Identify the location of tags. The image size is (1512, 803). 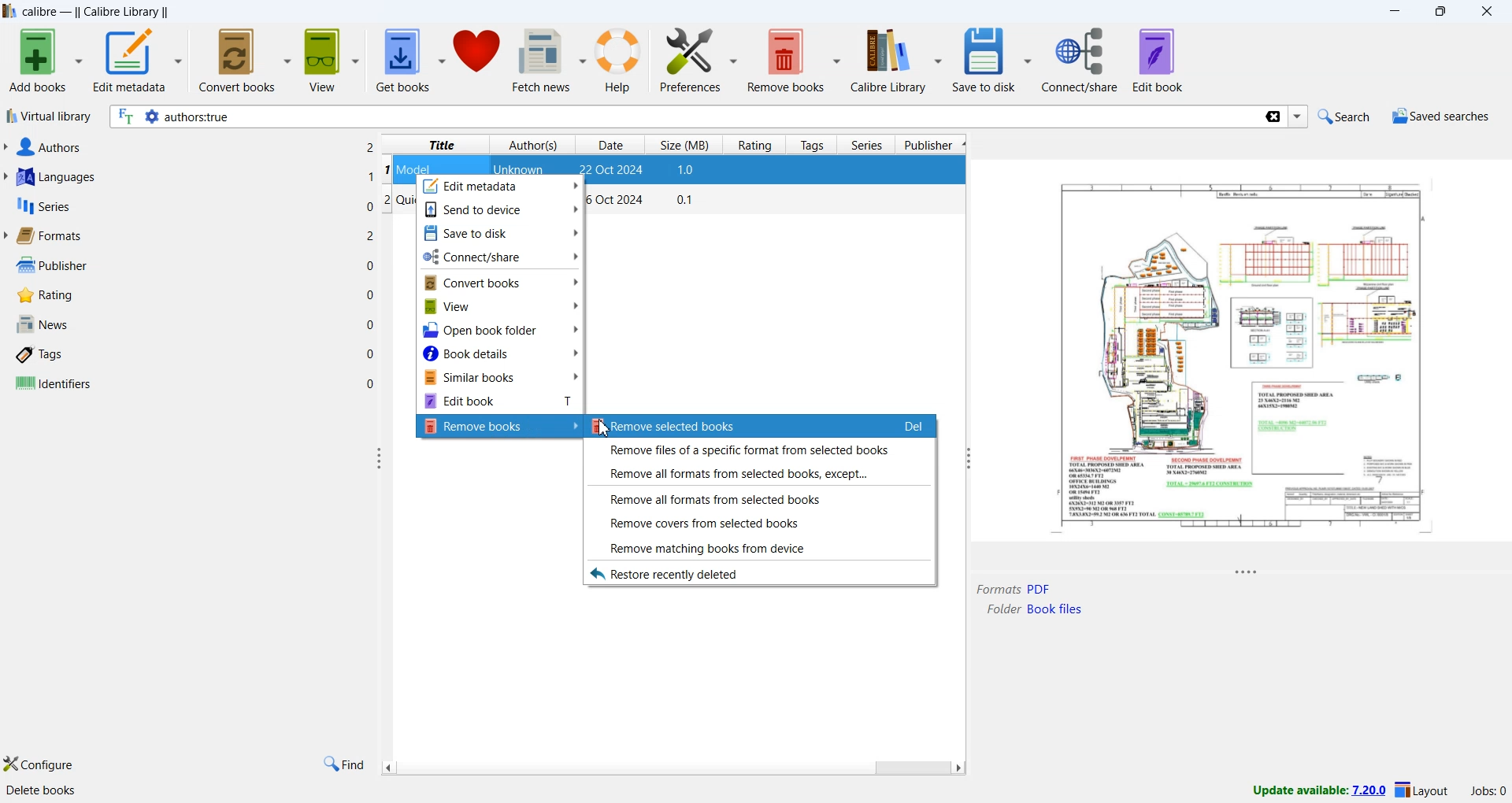
(42, 356).